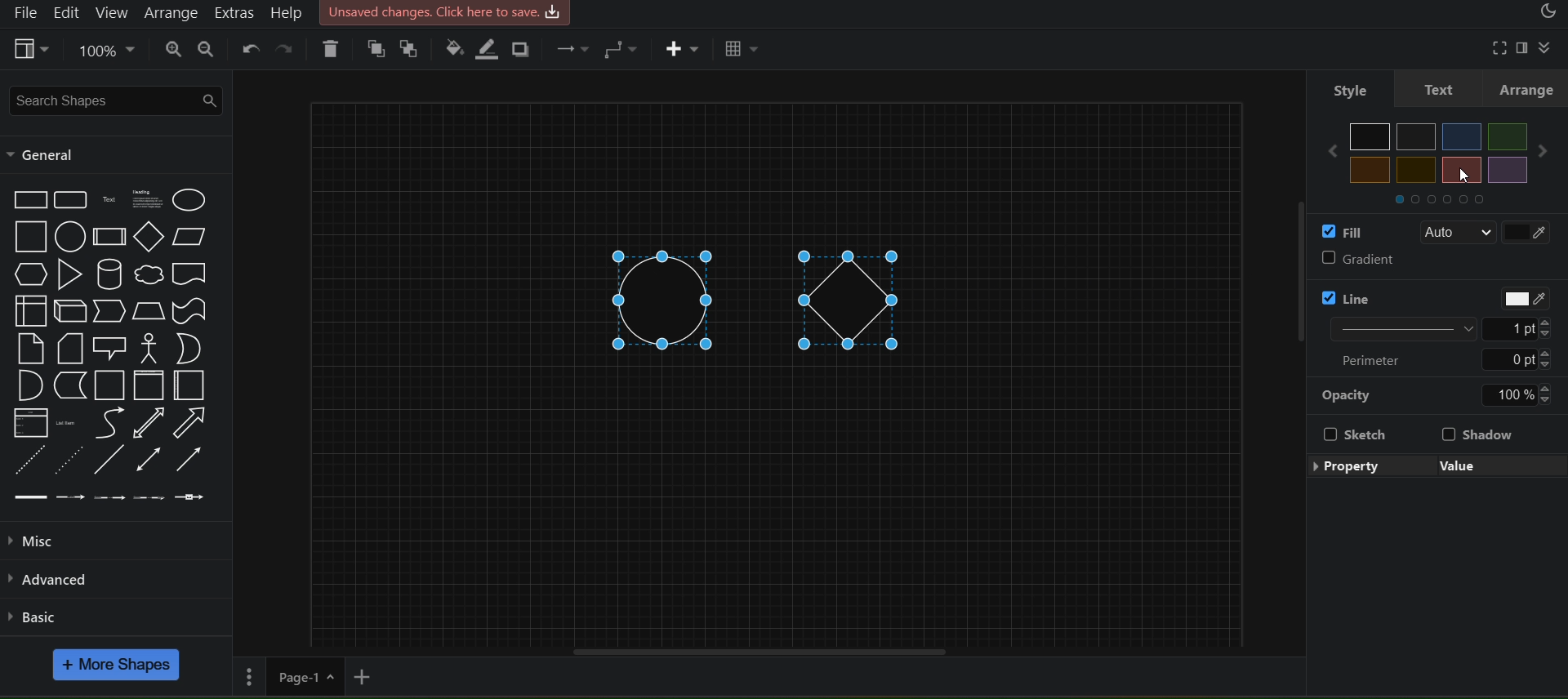 This screenshot has width=1568, height=699. What do you see at coordinates (170, 48) in the screenshot?
I see `zoom in` at bounding box center [170, 48].